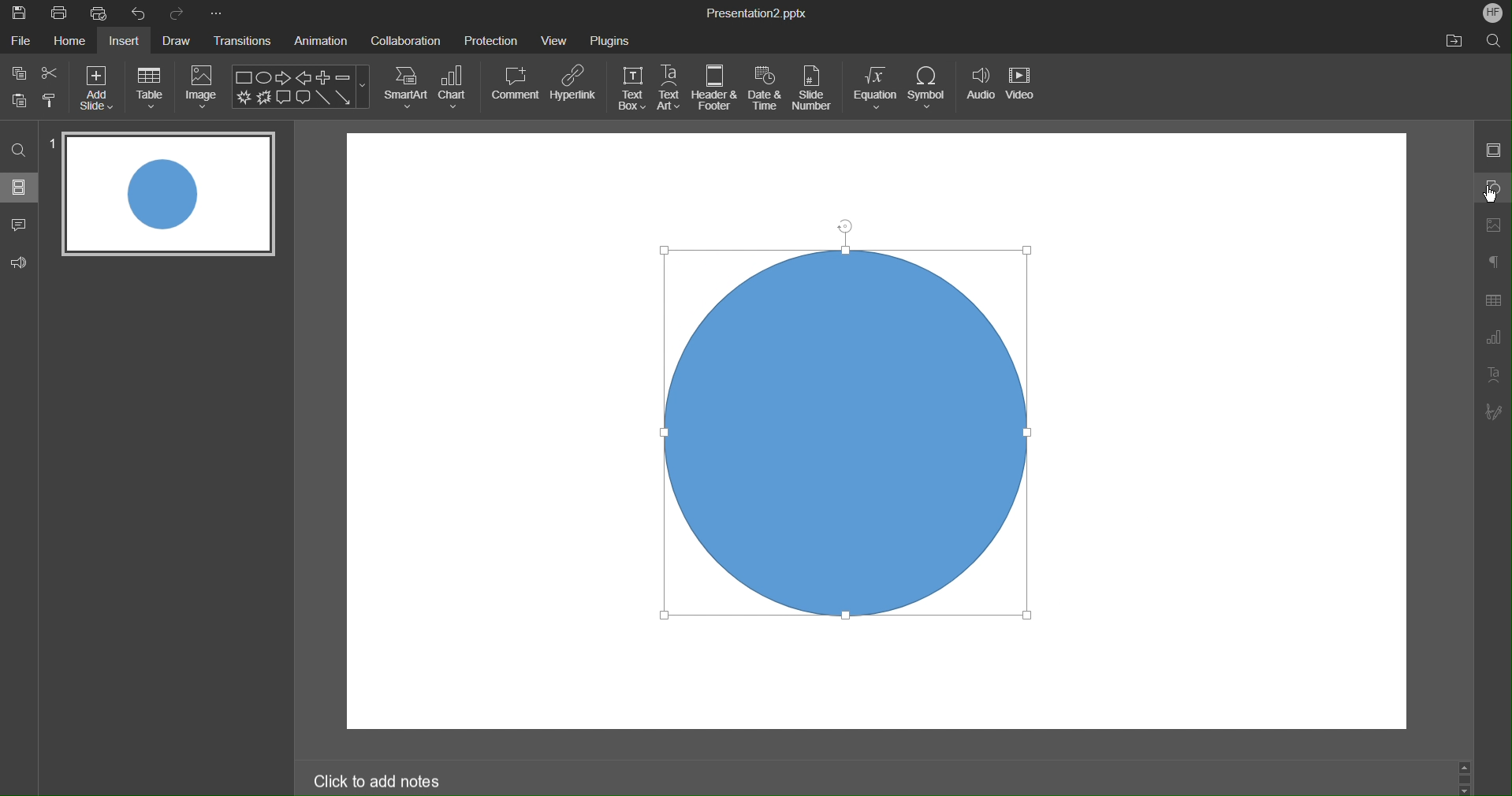 The height and width of the screenshot is (796, 1512). I want to click on Text Box, so click(631, 88).